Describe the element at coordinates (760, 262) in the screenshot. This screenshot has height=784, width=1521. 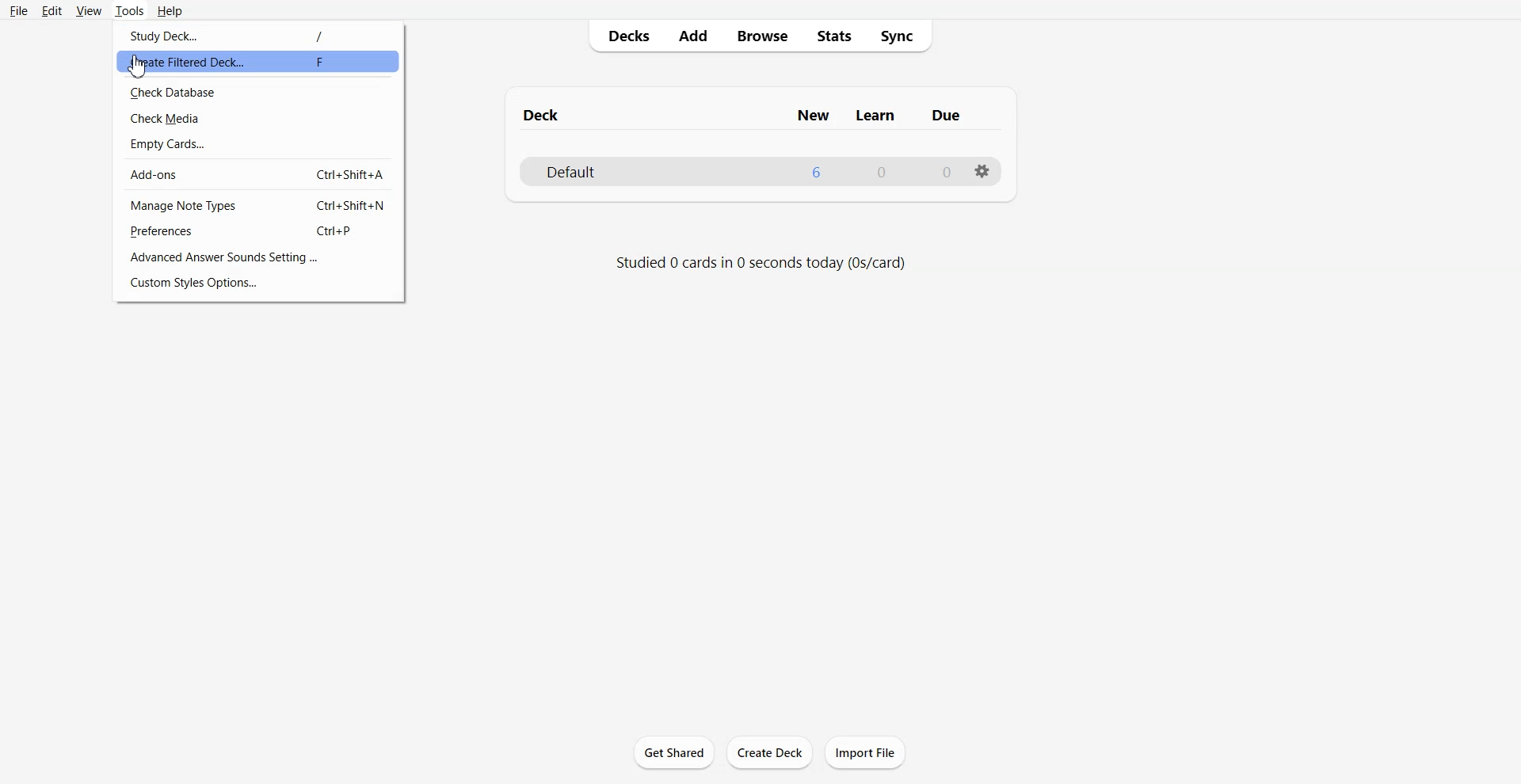
I see `Text 2` at that location.